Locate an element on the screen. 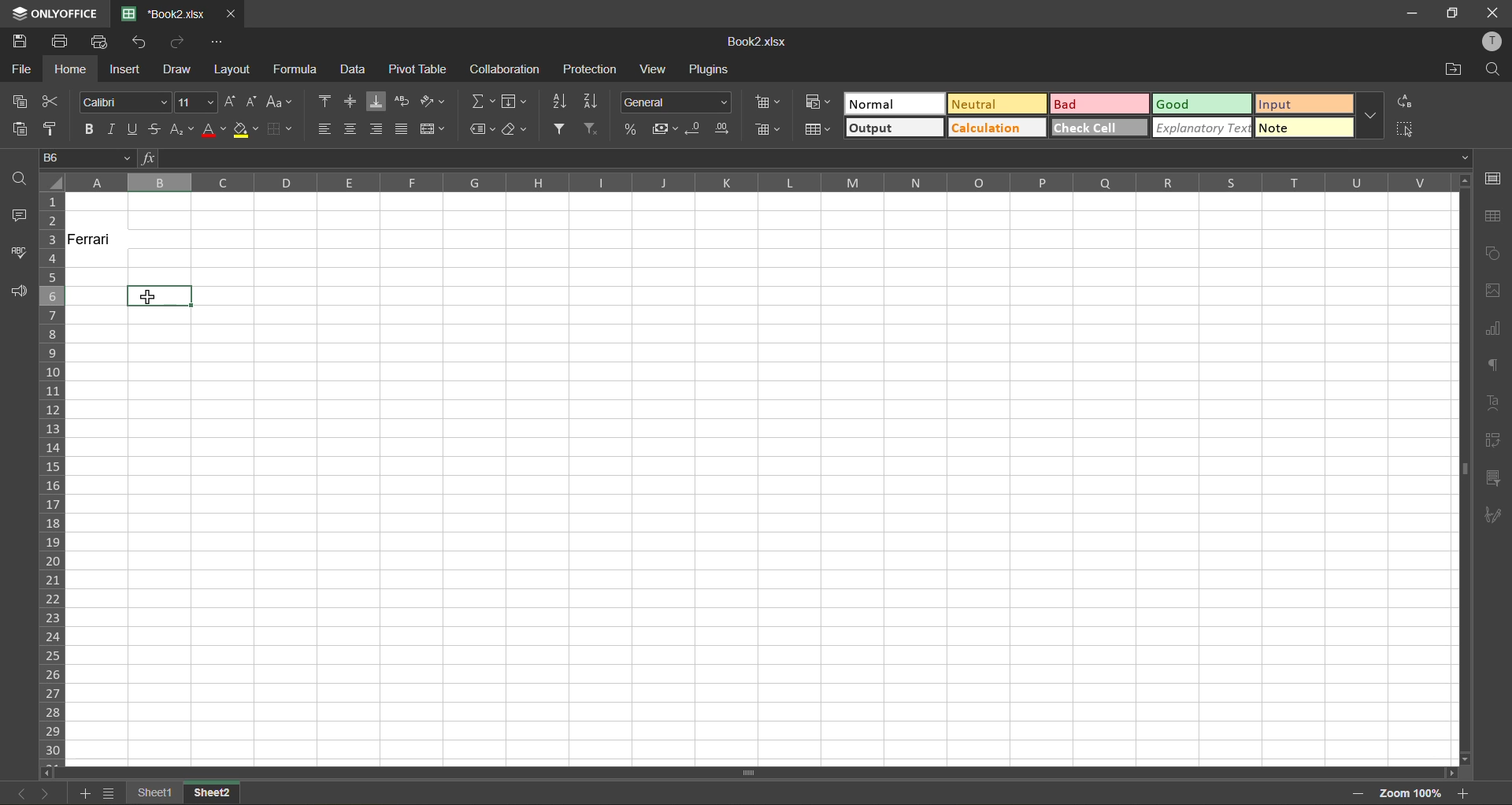 The height and width of the screenshot is (805, 1512). sort descending is located at coordinates (595, 102).